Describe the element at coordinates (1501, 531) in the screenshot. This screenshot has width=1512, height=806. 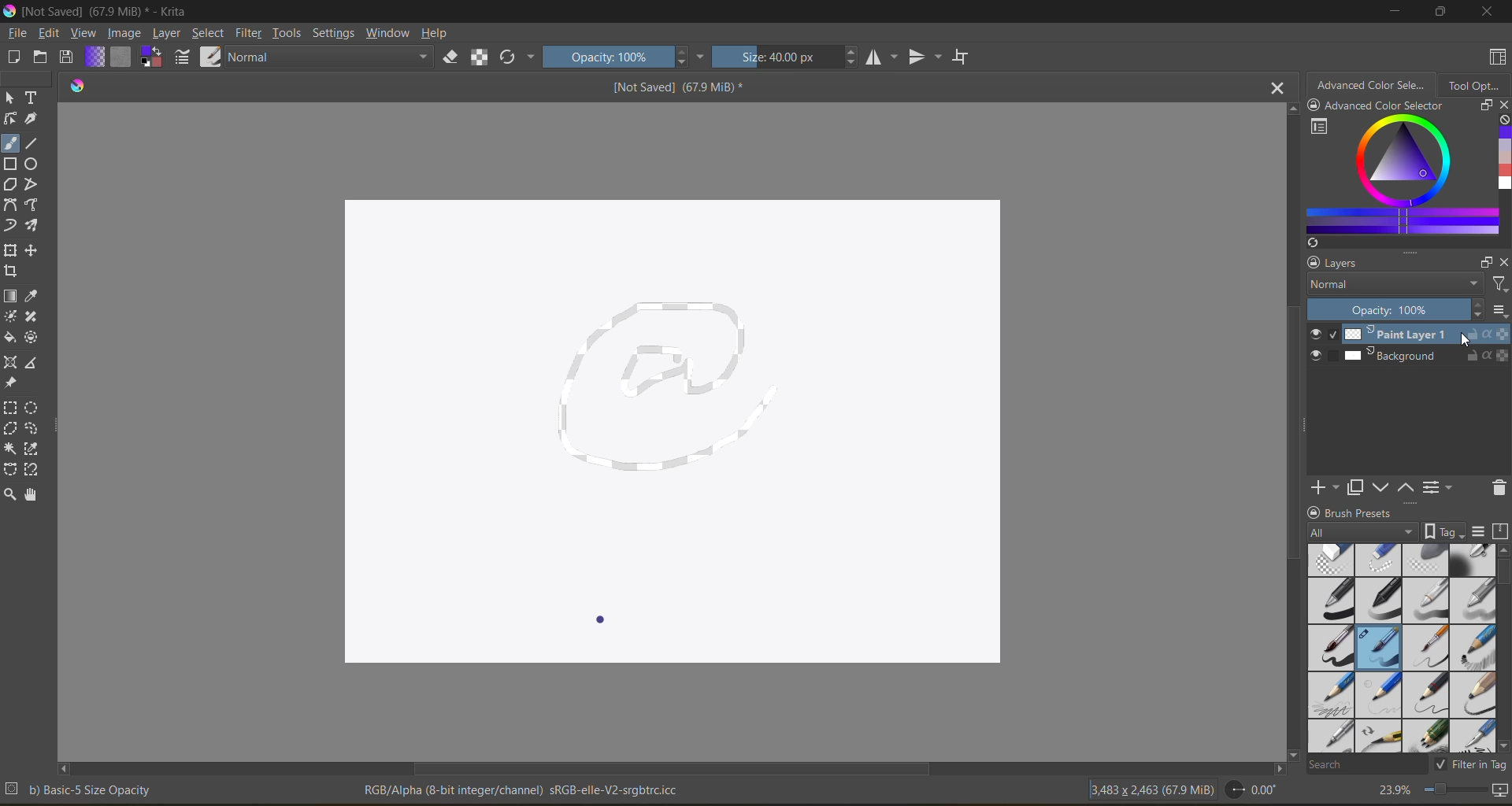
I see `storage resources` at that location.